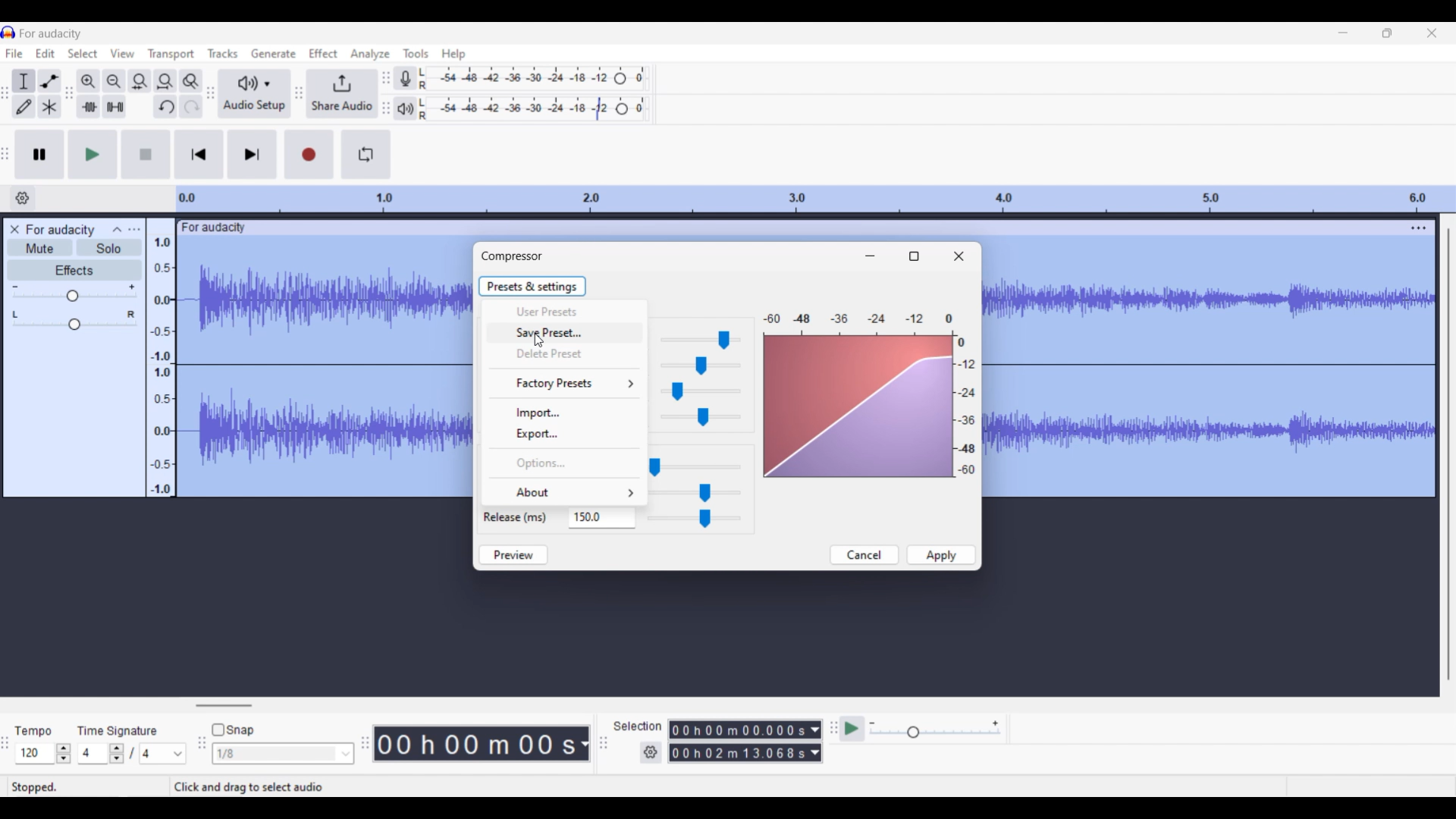  Describe the element at coordinates (134, 230) in the screenshot. I see `Open menu` at that location.